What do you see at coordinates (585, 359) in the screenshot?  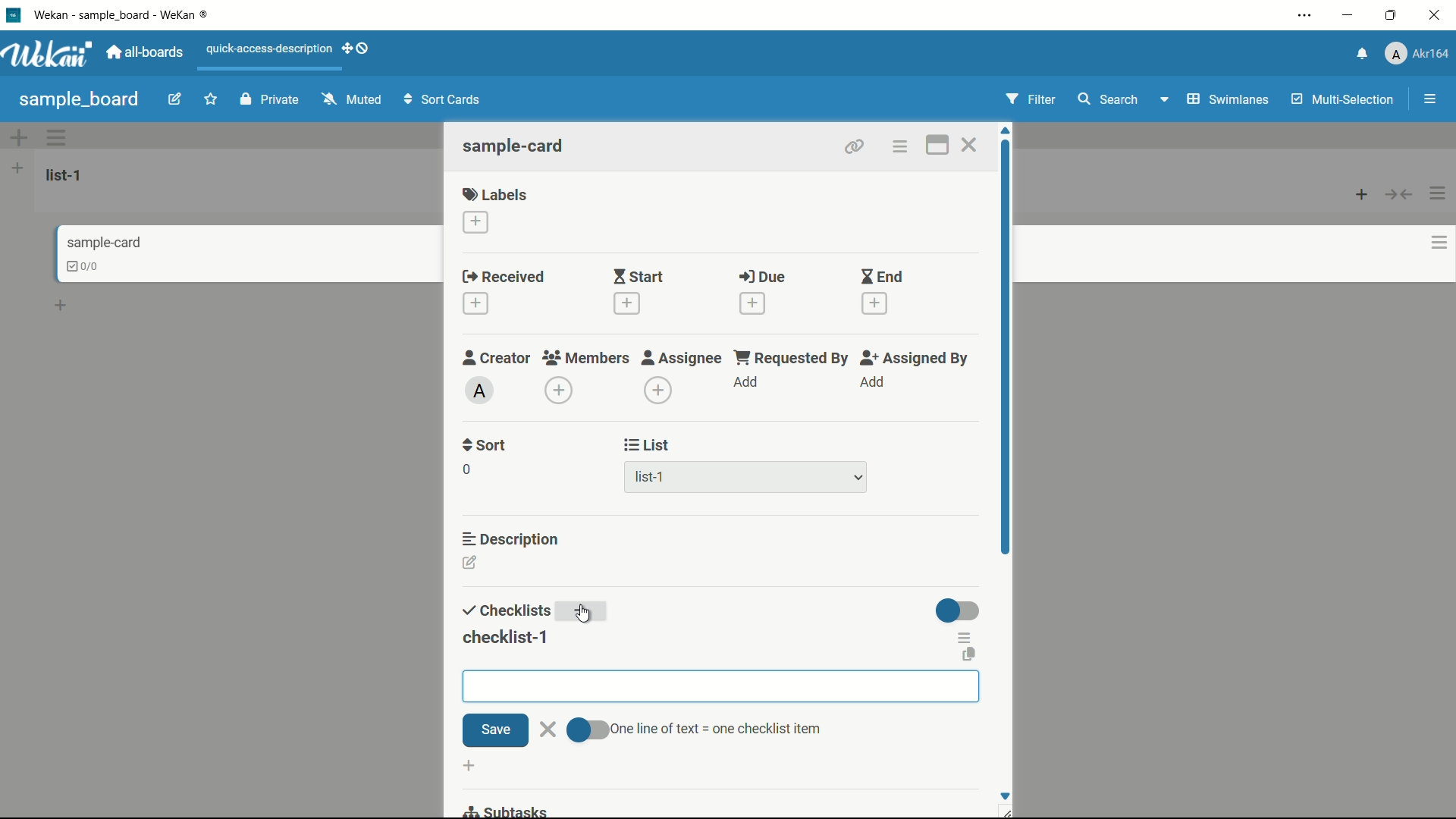 I see `members` at bounding box center [585, 359].